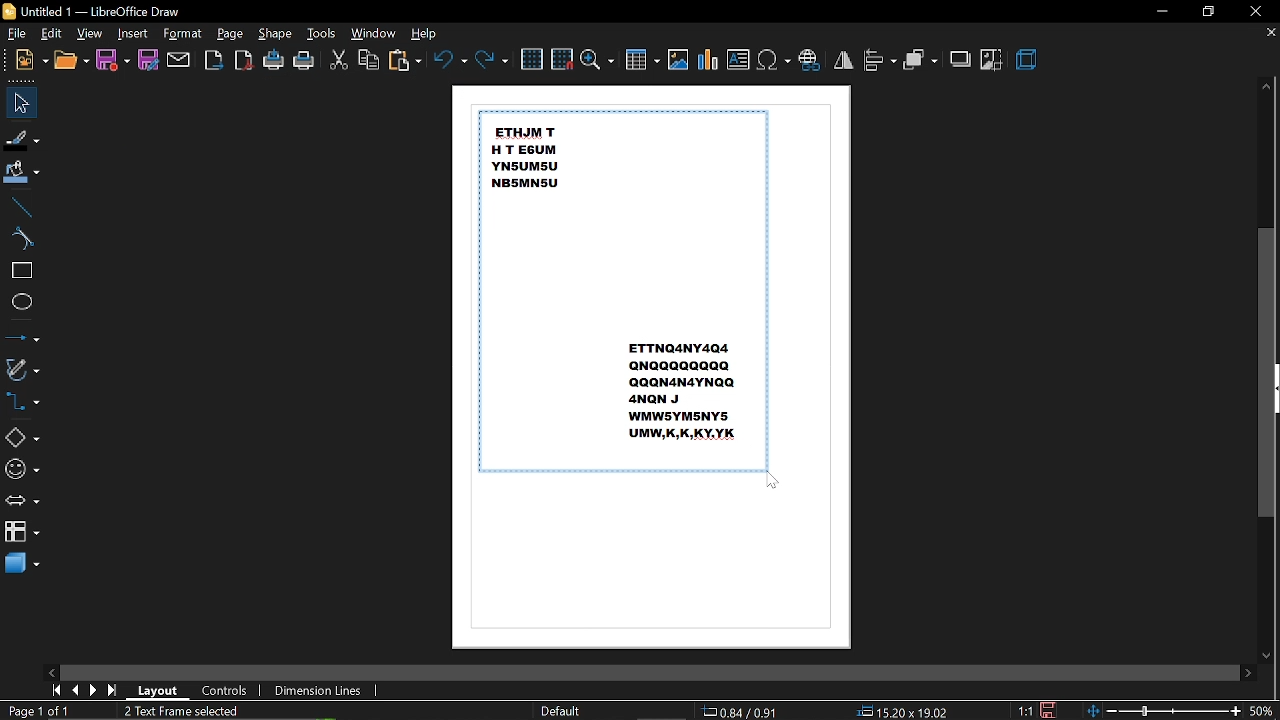 The width and height of the screenshot is (1280, 720). Describe the element at coordinates (22, 565) in the screenshot. I see `3d shapes` at that location.